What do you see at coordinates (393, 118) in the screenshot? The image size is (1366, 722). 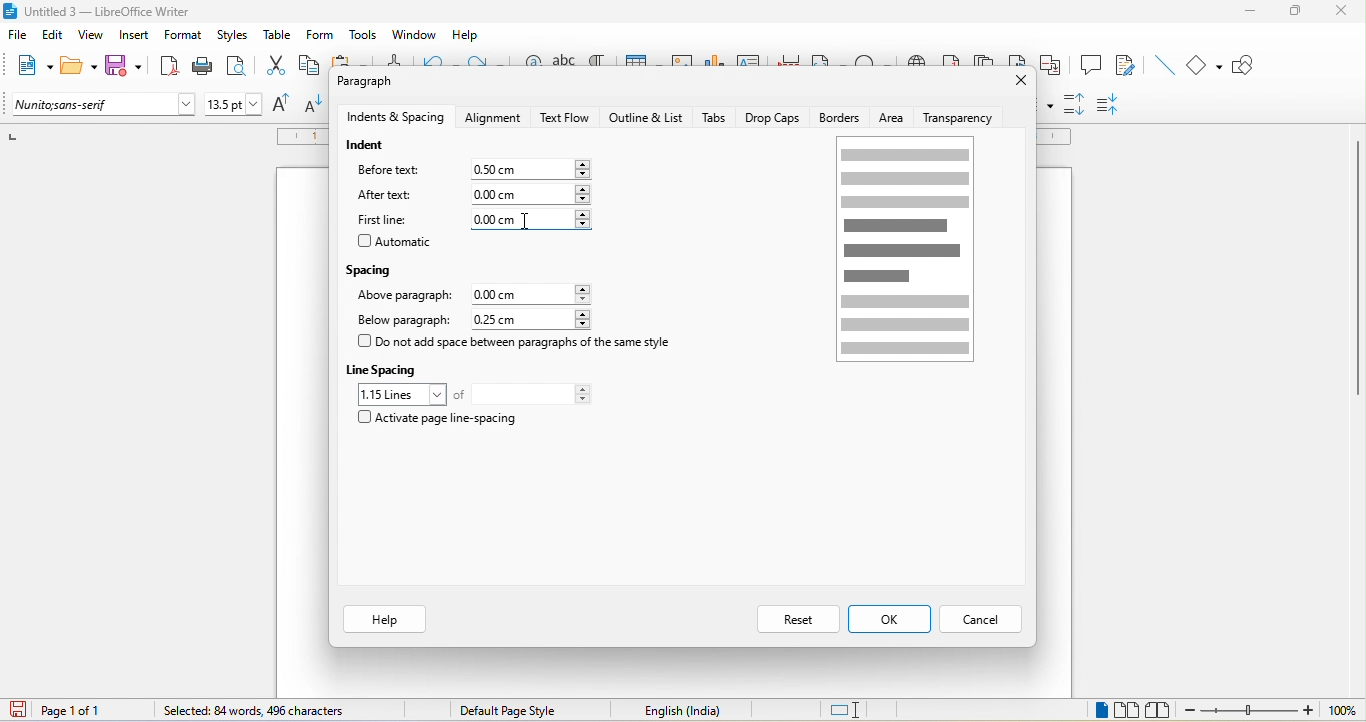 I see `indents and spacing` at bounding box center [393, 118].